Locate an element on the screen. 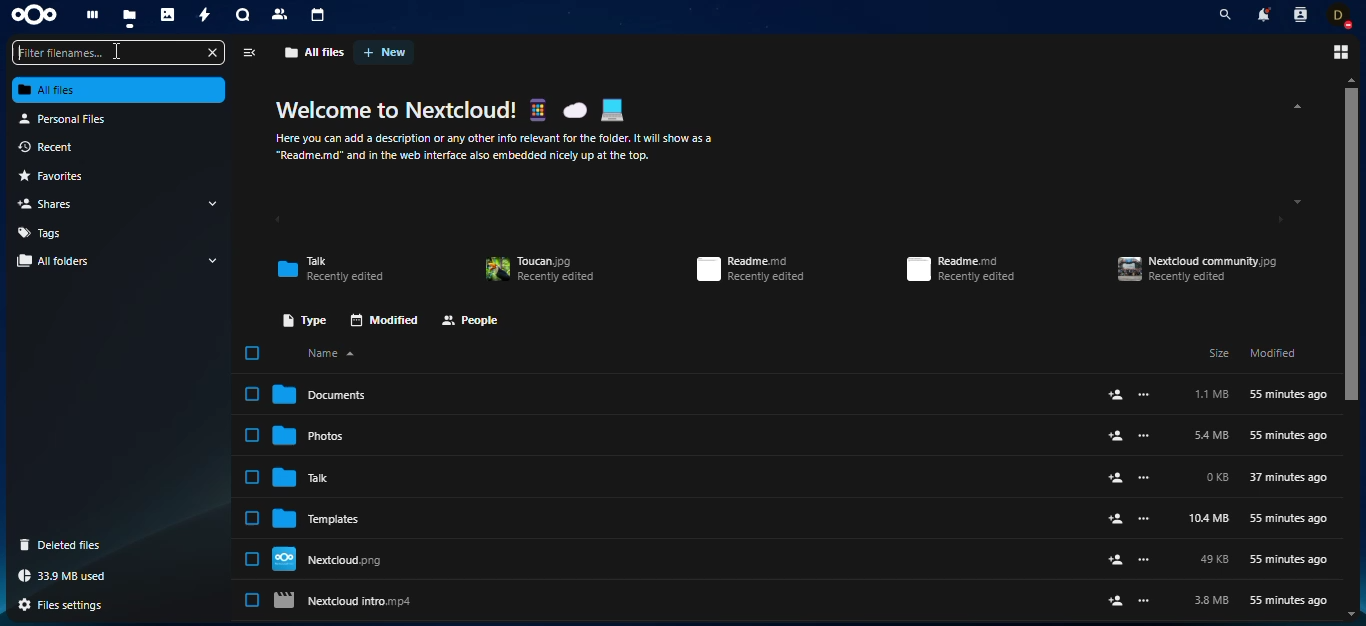 The height and width of the screenshot is (626, 1366). recent is located at coordinates (59, 148).